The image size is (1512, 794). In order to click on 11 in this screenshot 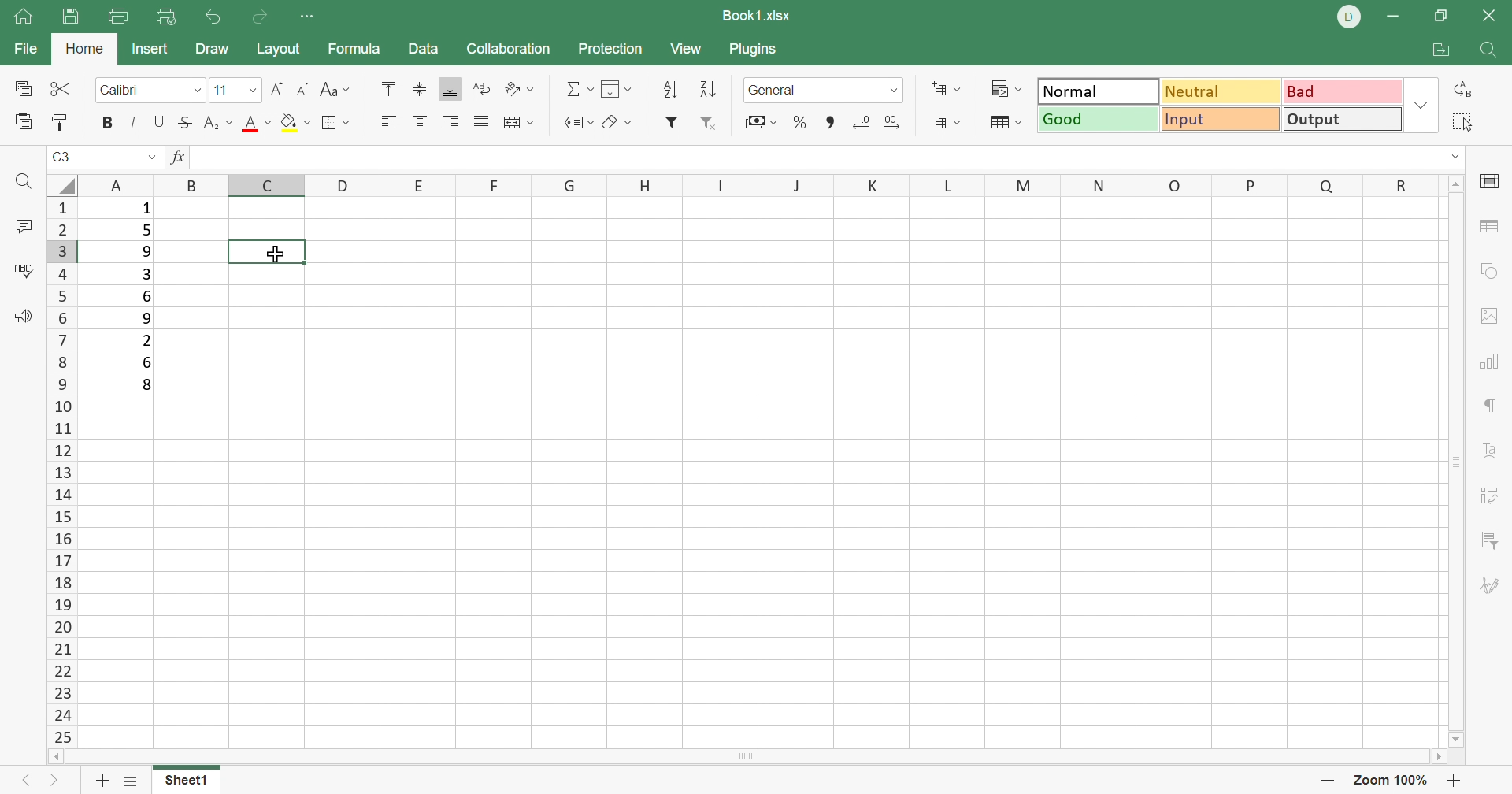, I will do `click(224, 91)`.